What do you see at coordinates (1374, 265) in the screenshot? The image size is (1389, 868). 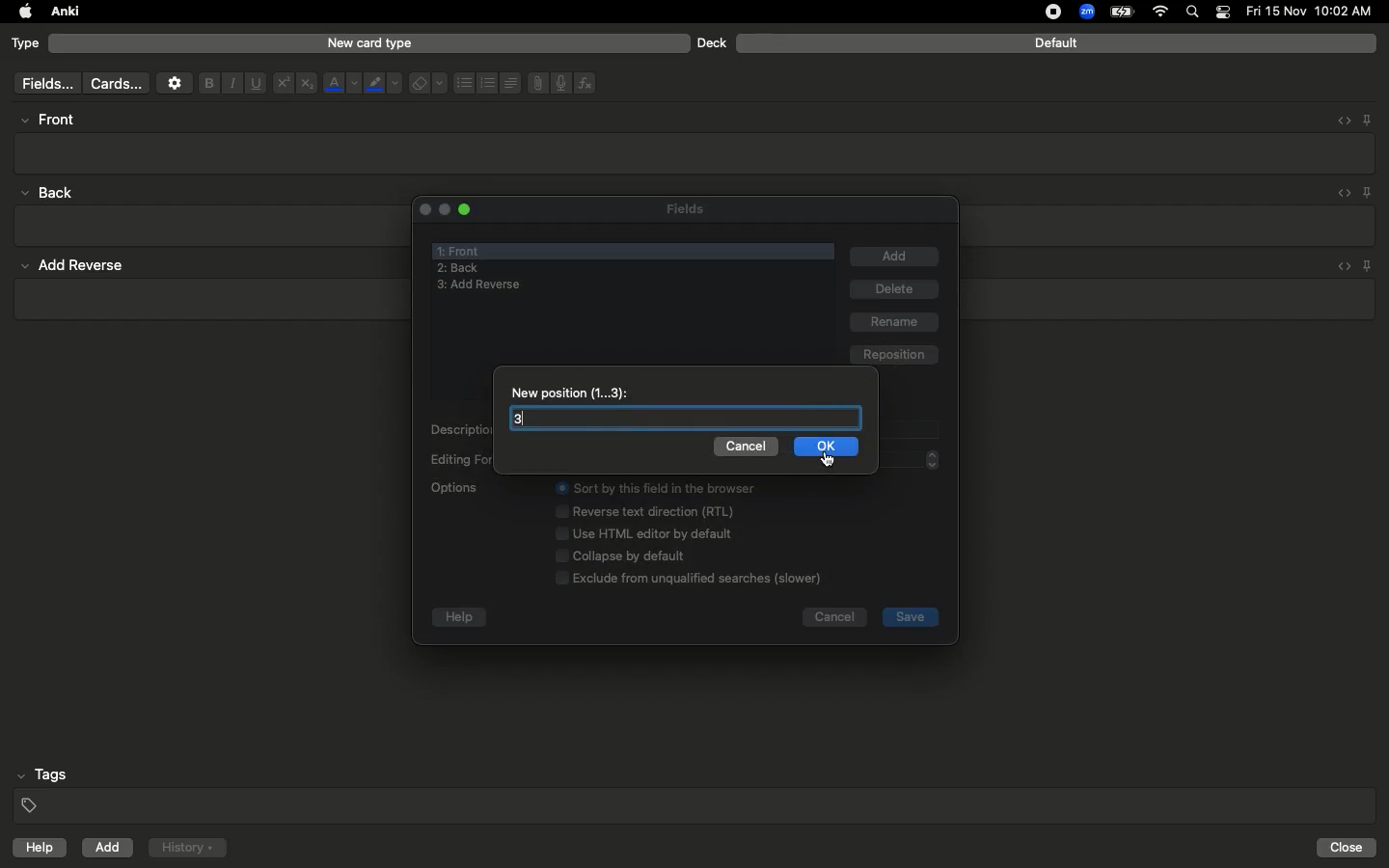 I see `pin` at bounding box center [1374, 265].